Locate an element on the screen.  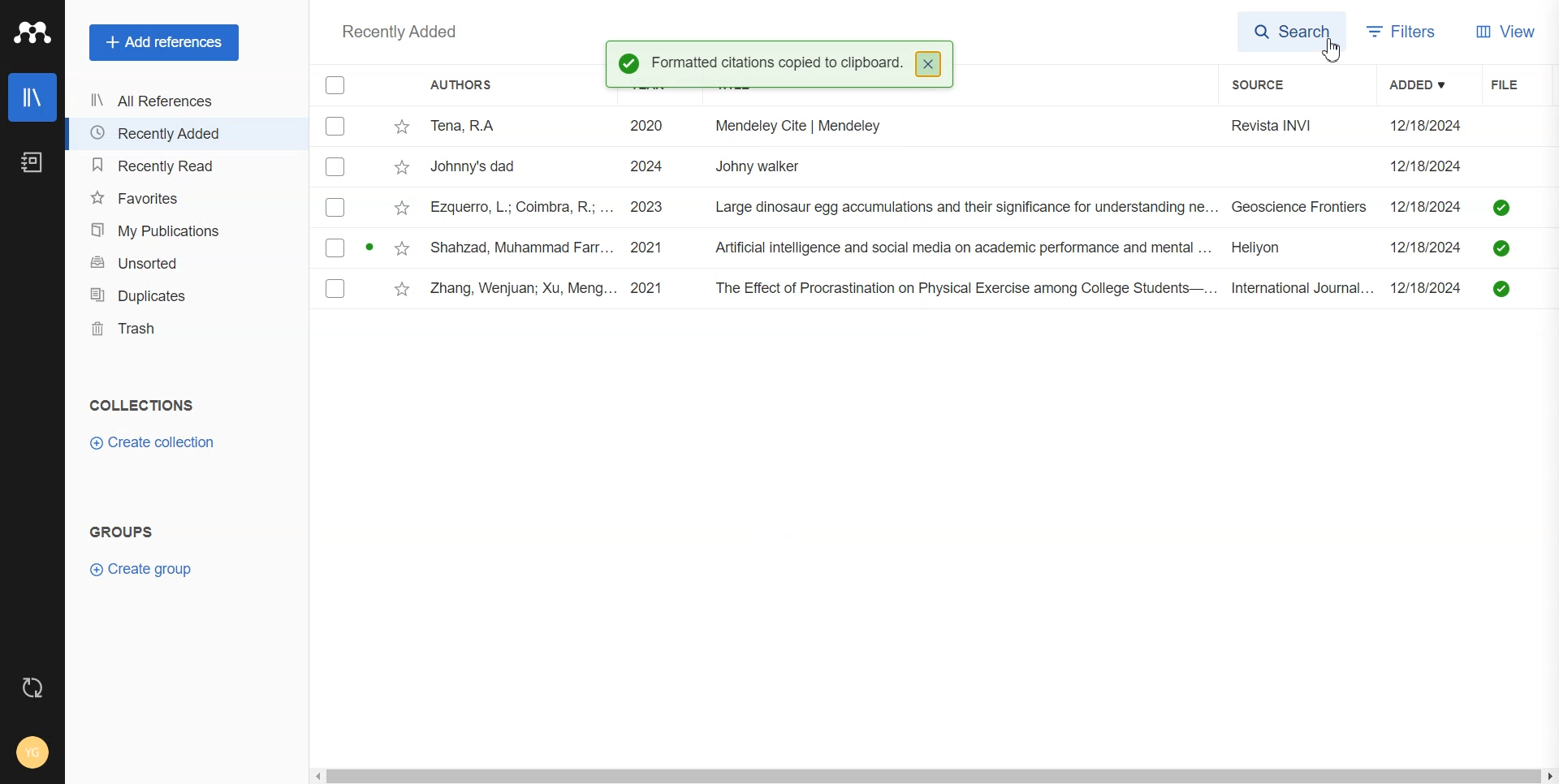
ezquerro, L.; Coimbra, R.; ... 2023 Large dinosaur egg accumulations and their significance for understanding ne... Geoscience Frontiers is located at coordinates (900, 208).